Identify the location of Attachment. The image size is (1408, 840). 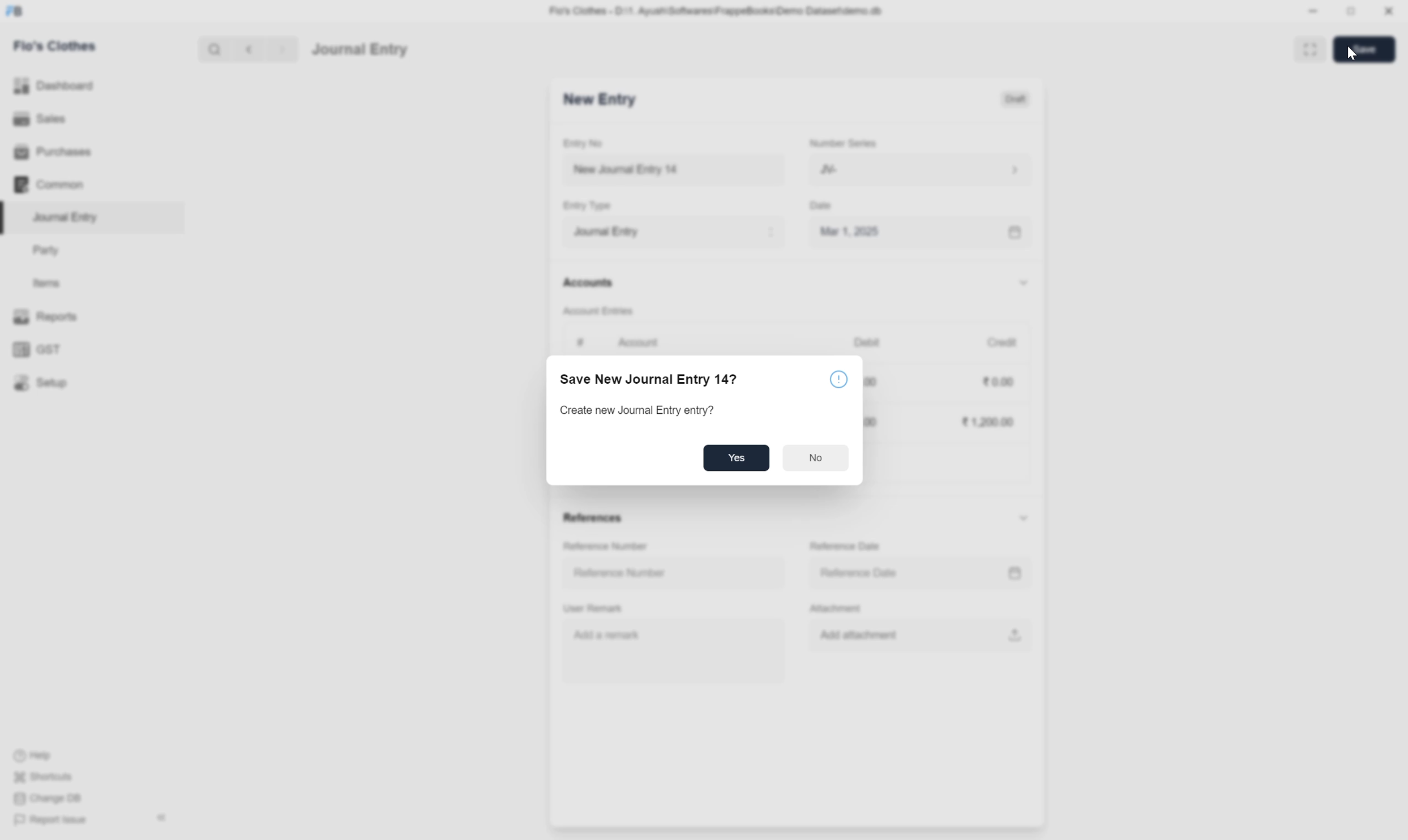
(839, 610).